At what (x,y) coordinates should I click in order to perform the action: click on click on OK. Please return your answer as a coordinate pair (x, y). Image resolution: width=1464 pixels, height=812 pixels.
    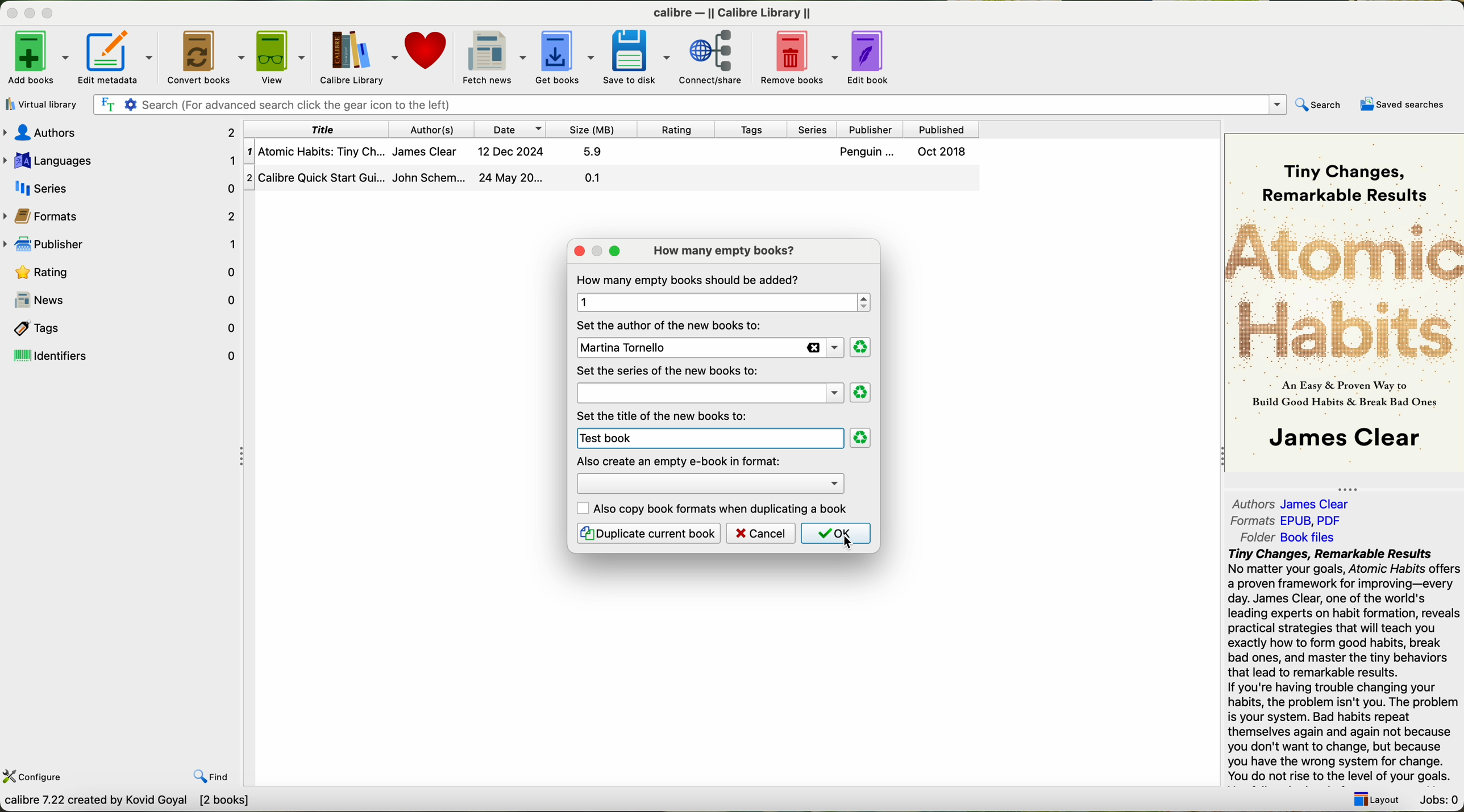
    Looking at the image, I should click on (839, 537).